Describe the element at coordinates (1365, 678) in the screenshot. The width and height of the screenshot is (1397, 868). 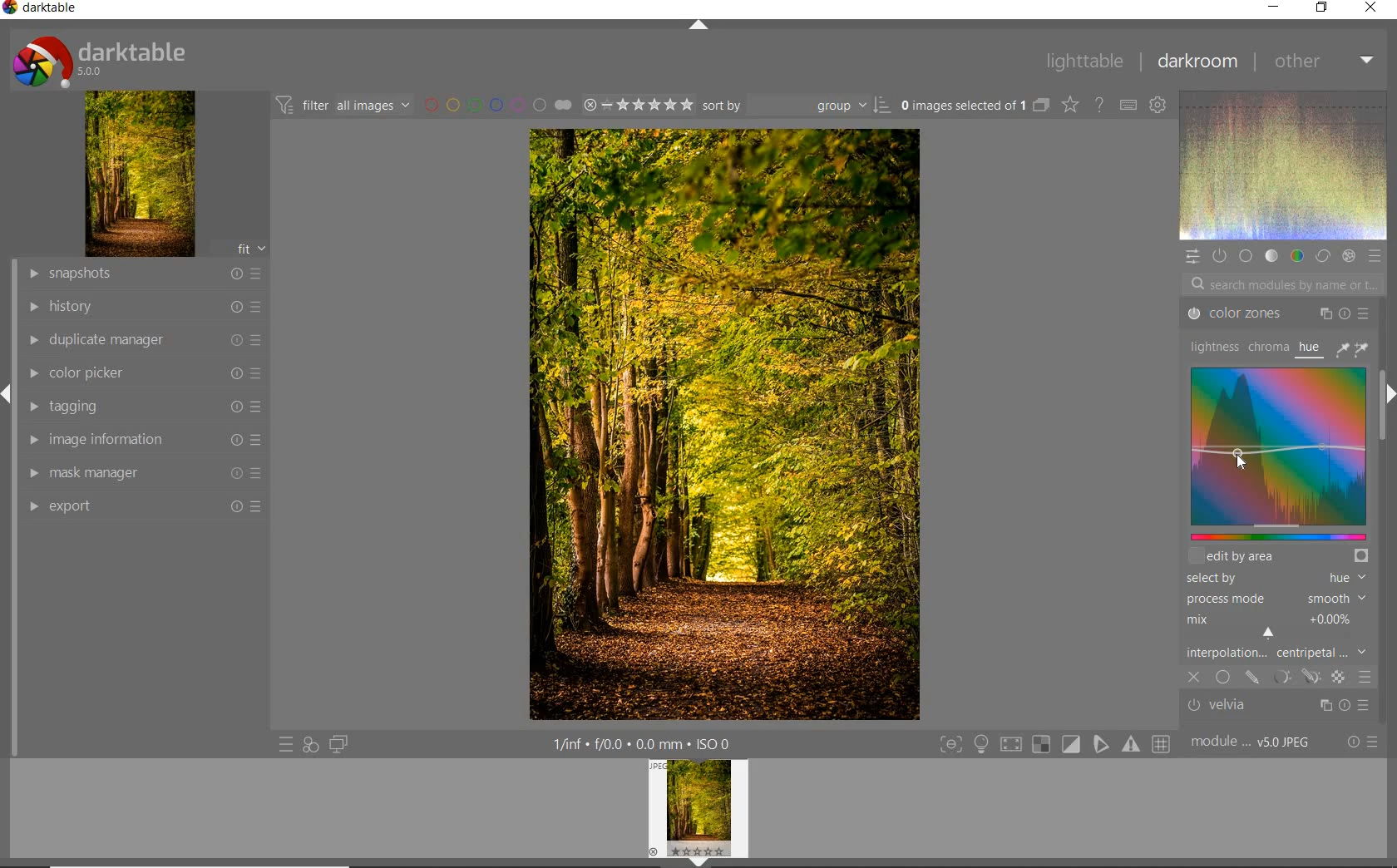
I see `blending options` at that location.